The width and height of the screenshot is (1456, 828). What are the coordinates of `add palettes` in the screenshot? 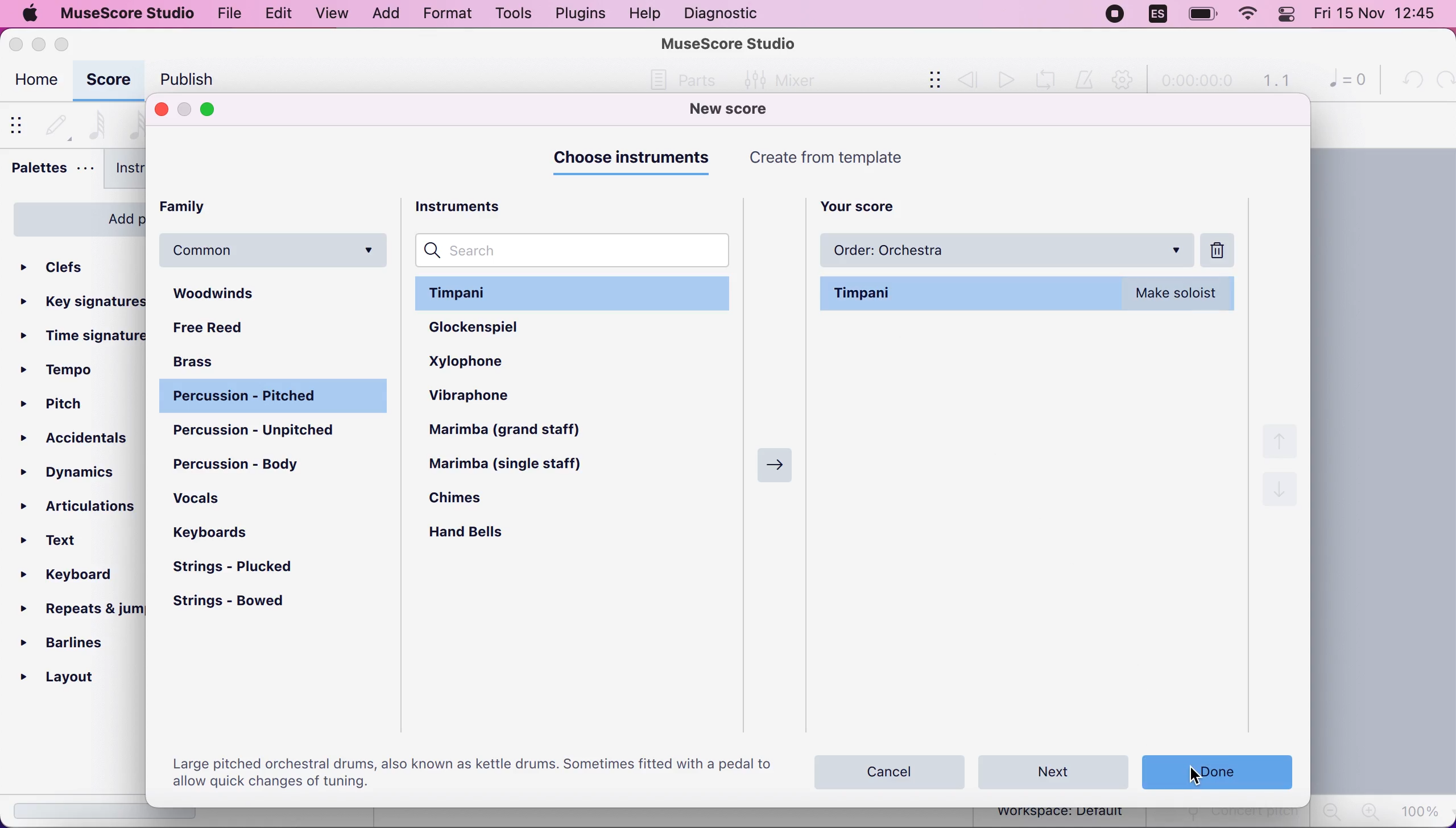 It's located at (74, 217).